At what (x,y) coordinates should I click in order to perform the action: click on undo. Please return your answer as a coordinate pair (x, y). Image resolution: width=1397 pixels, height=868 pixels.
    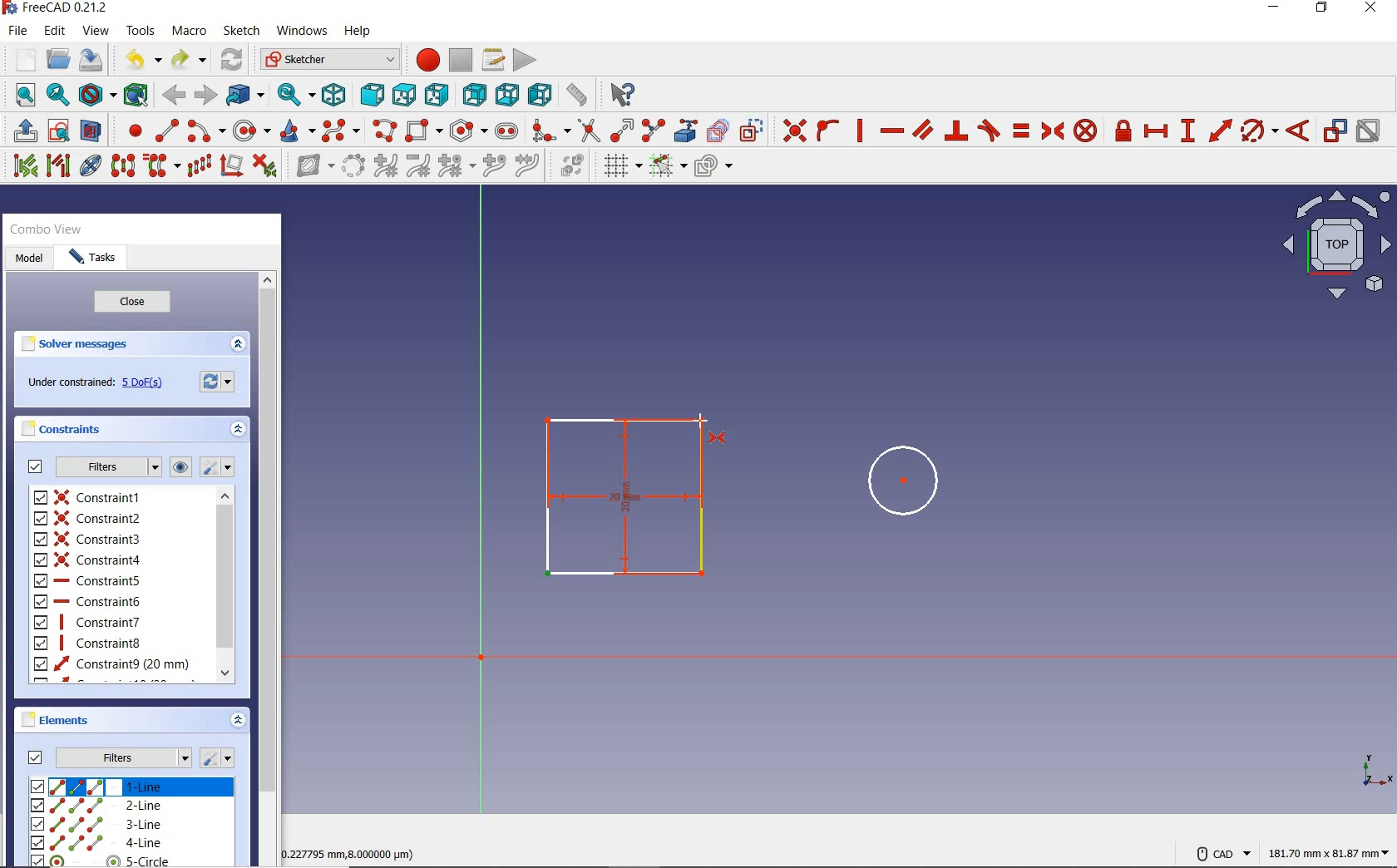
    Looking at the image, I should click on (140, 58).